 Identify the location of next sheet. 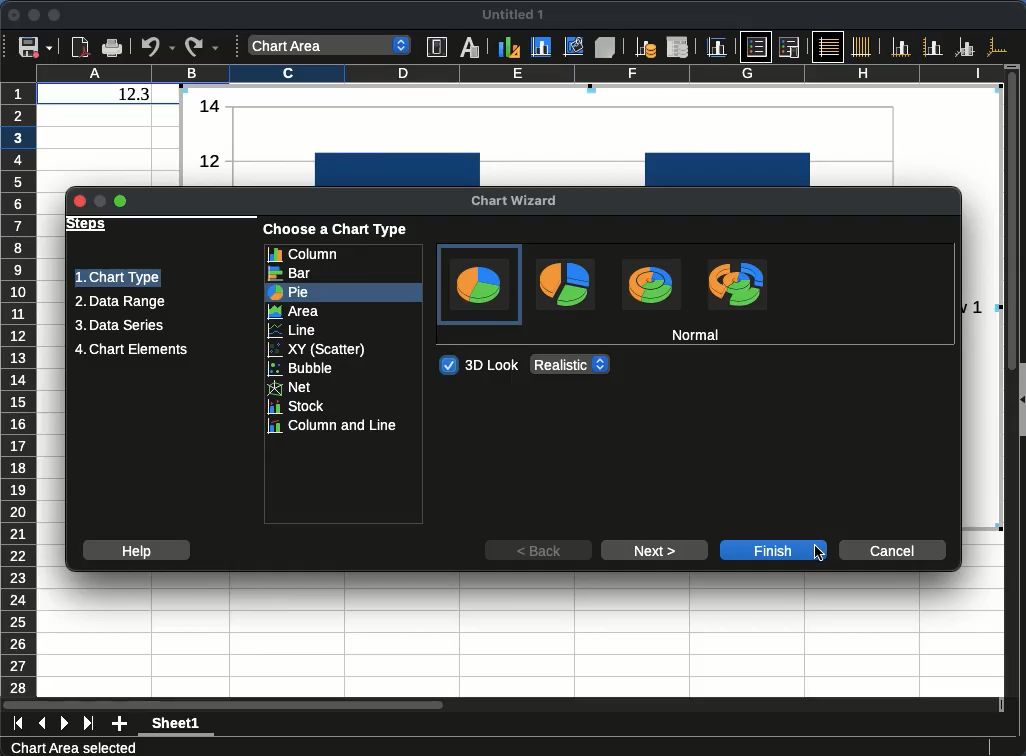
(65, 724).